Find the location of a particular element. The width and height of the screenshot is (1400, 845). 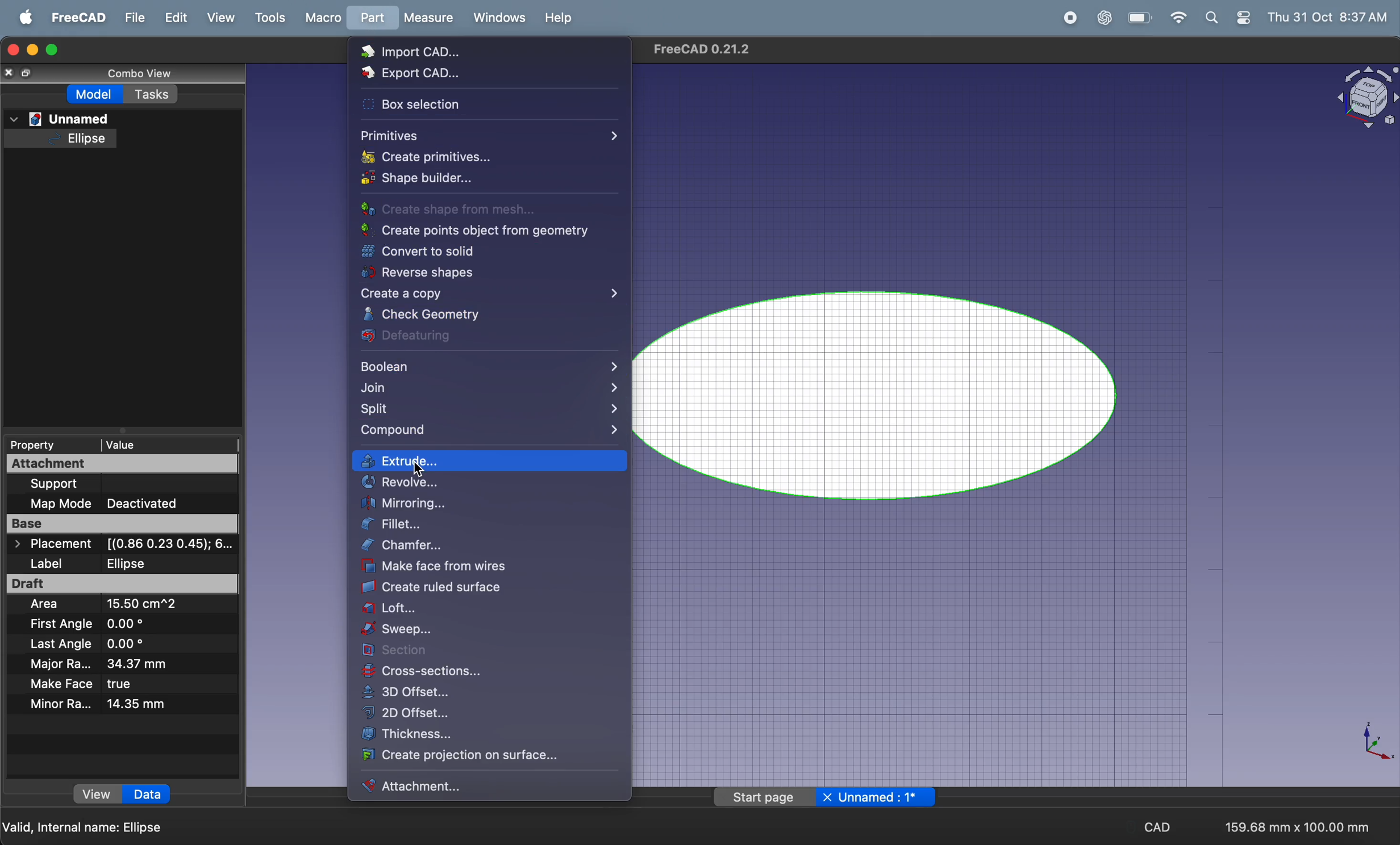

maximize is located at coordinates (56, 49).